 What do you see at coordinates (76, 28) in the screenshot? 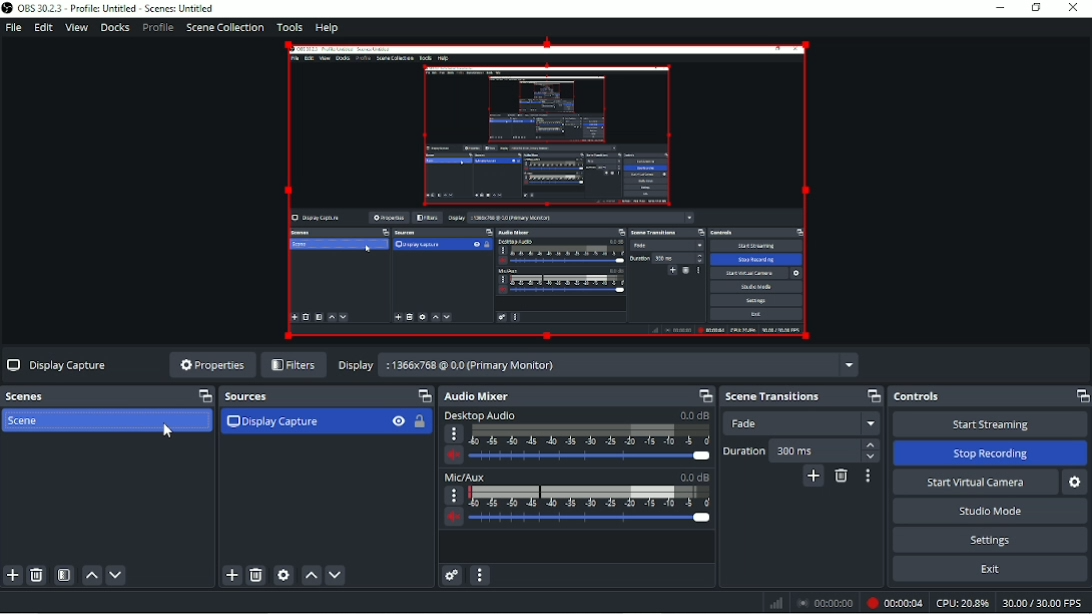
I see `View` at bounding box center [76, 28].